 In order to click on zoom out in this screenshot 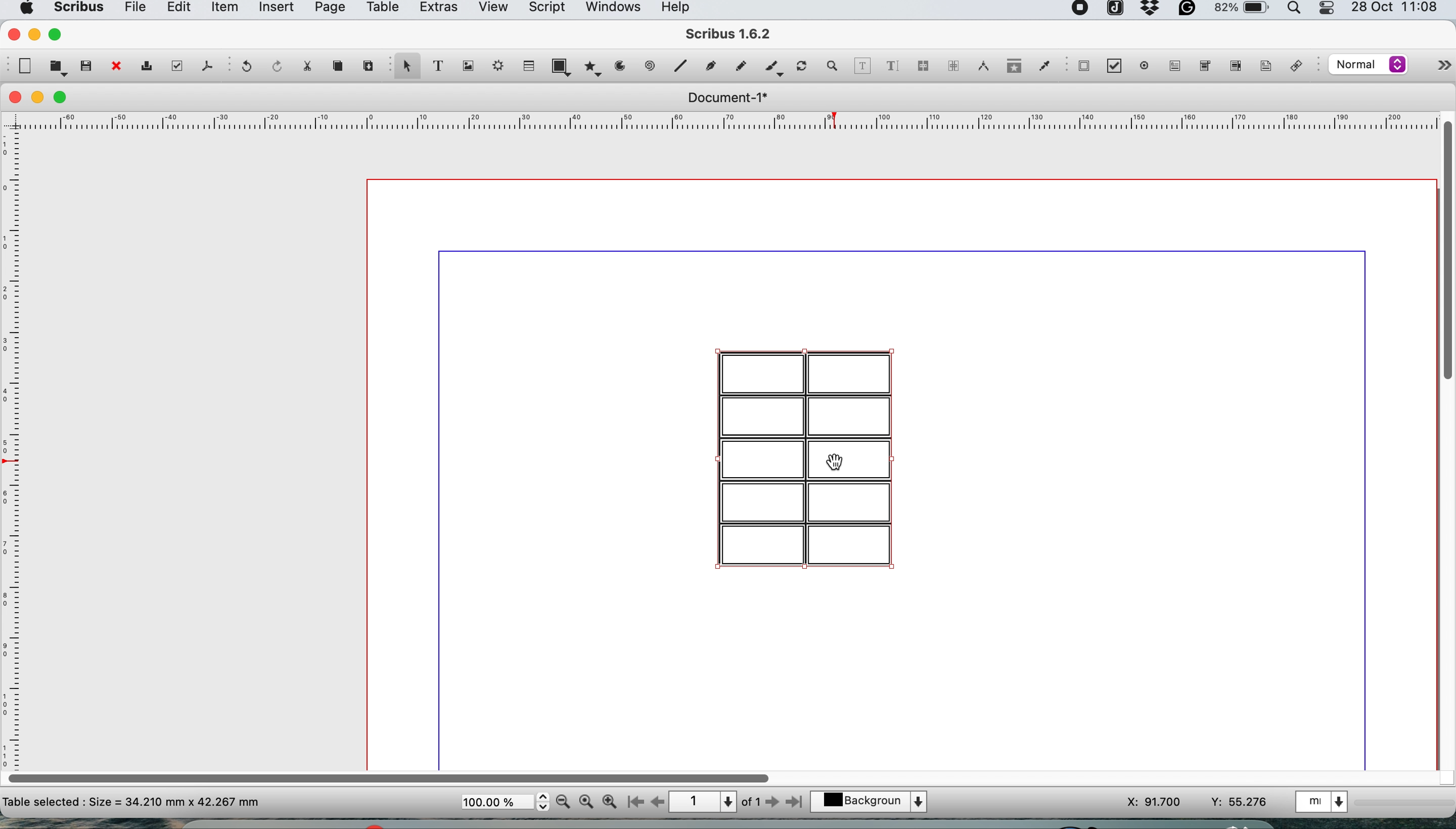, I will do `click(565, 802)`.